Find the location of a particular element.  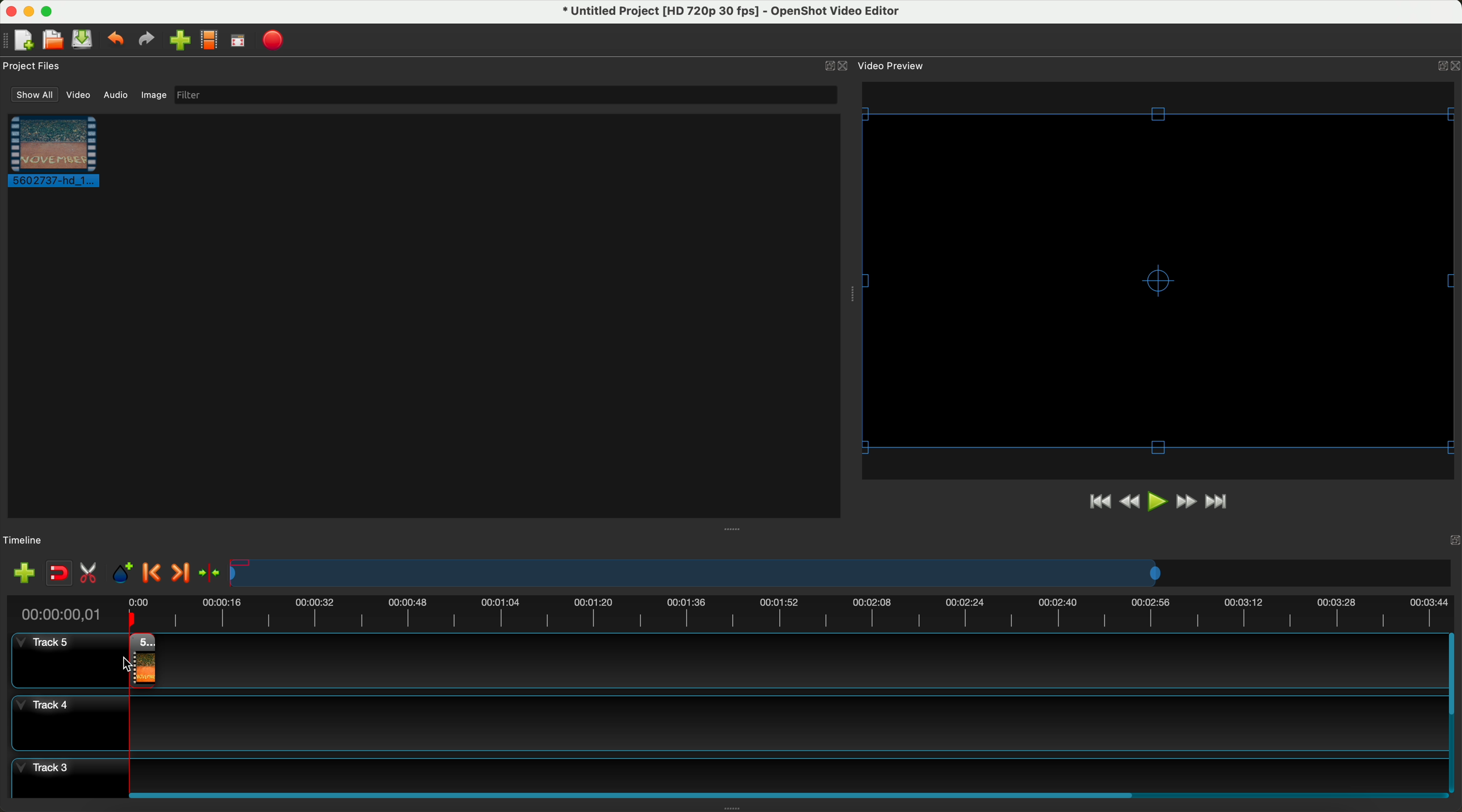

close is located at coordinates (845, 67).